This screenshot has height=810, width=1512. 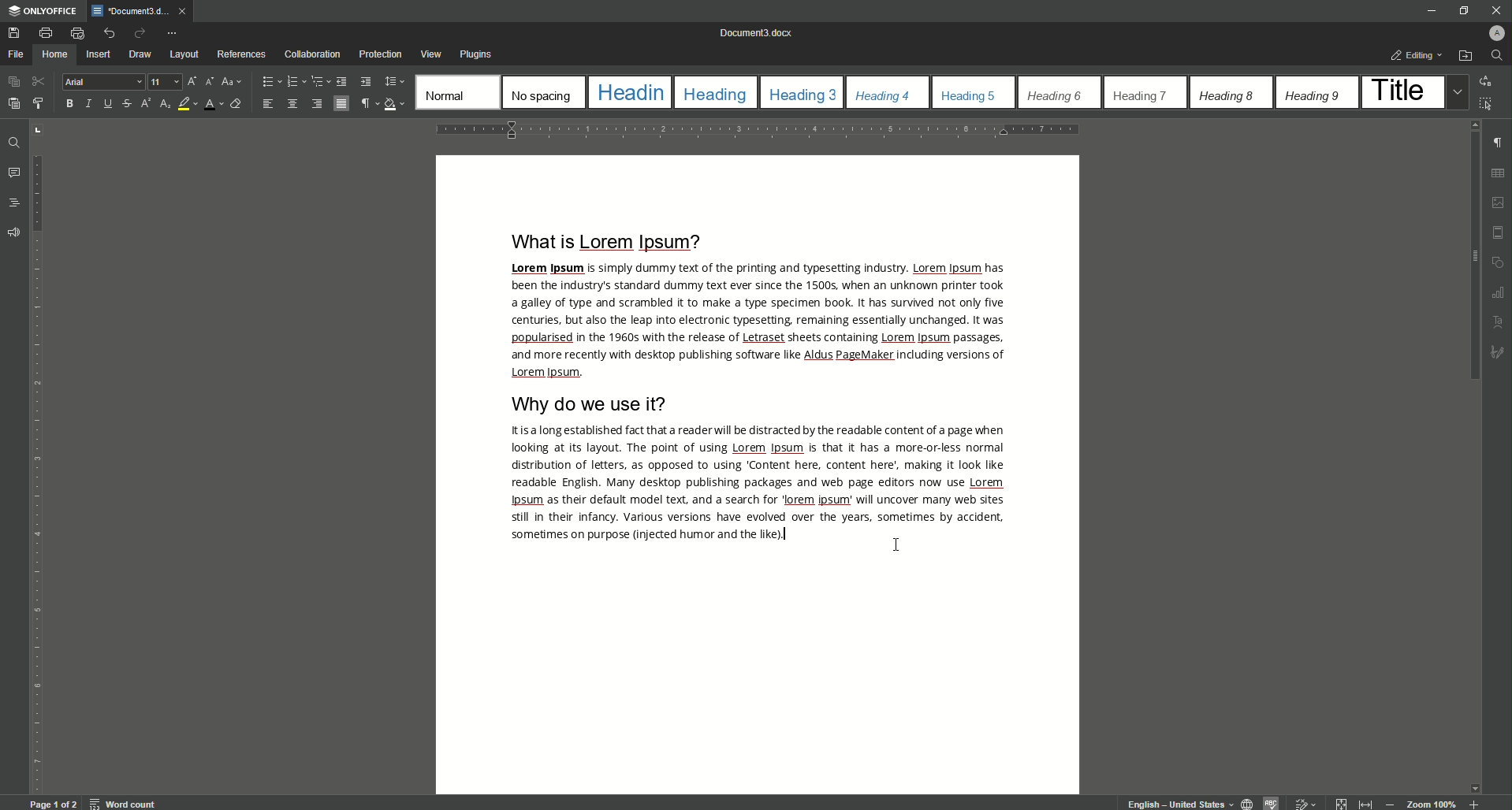 I want to click on Minimize, so click(x=1425, y=10).